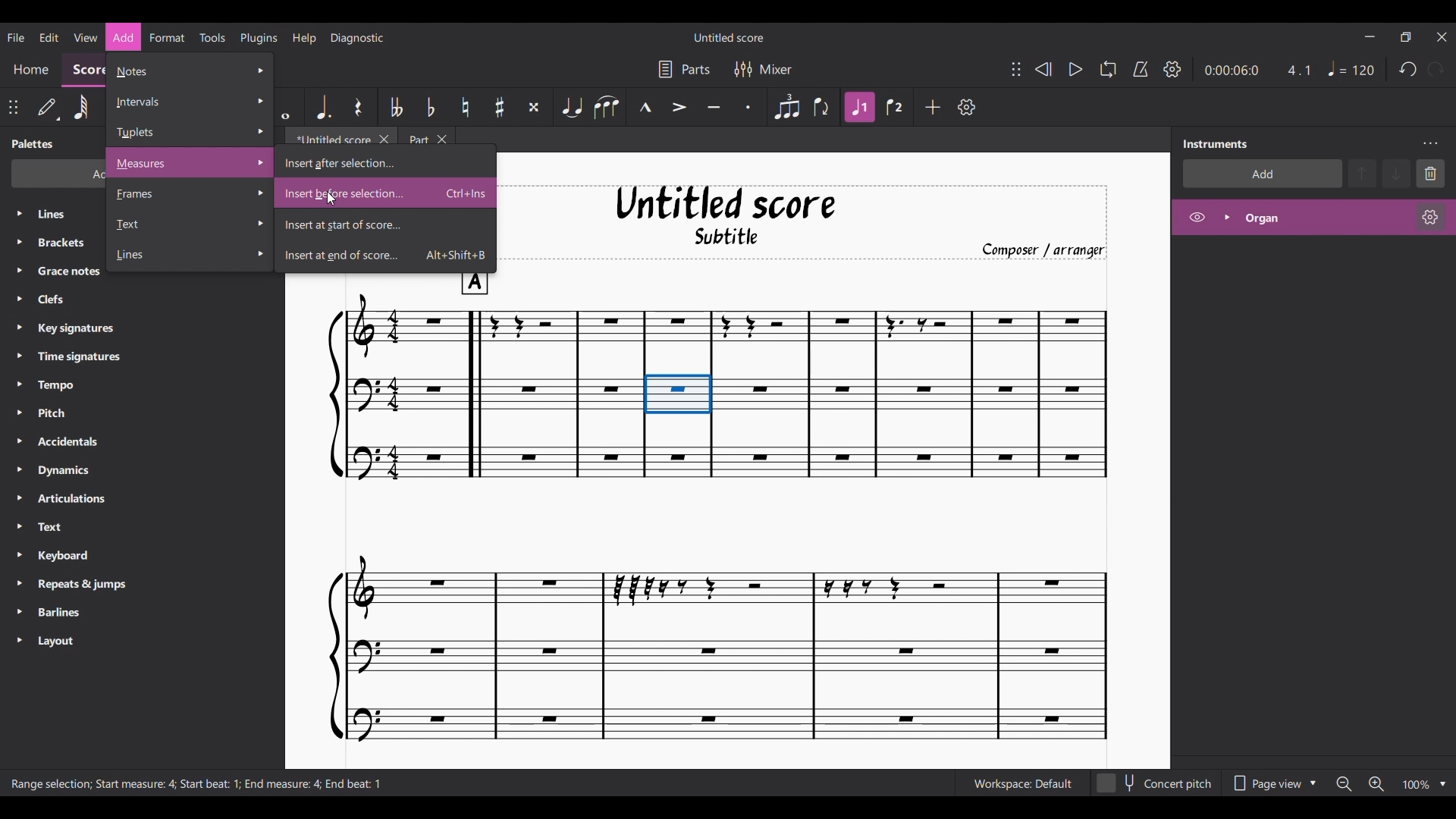 The image size is (1456, 819). Describe the element at coordinates (259, 37) in the screenshot. I see `Plugins menu` at that location.